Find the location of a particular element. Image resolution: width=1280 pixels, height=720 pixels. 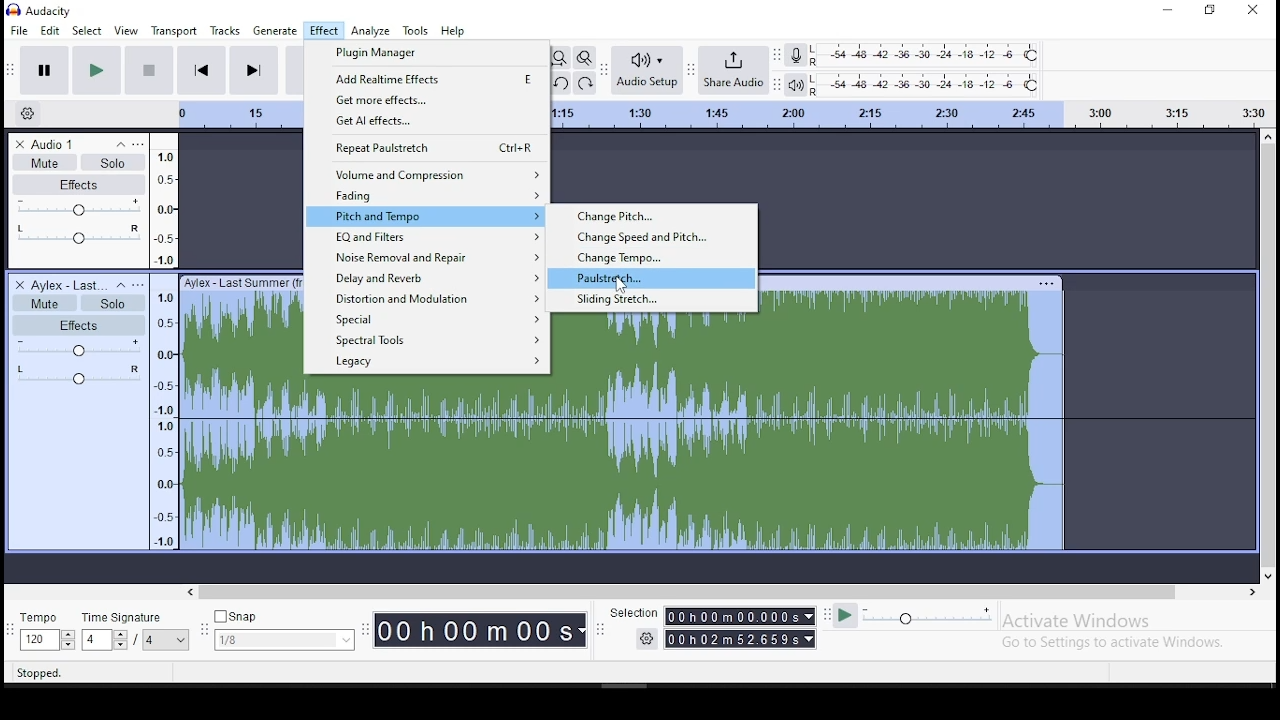

effects is located at coordinates (80, 325).